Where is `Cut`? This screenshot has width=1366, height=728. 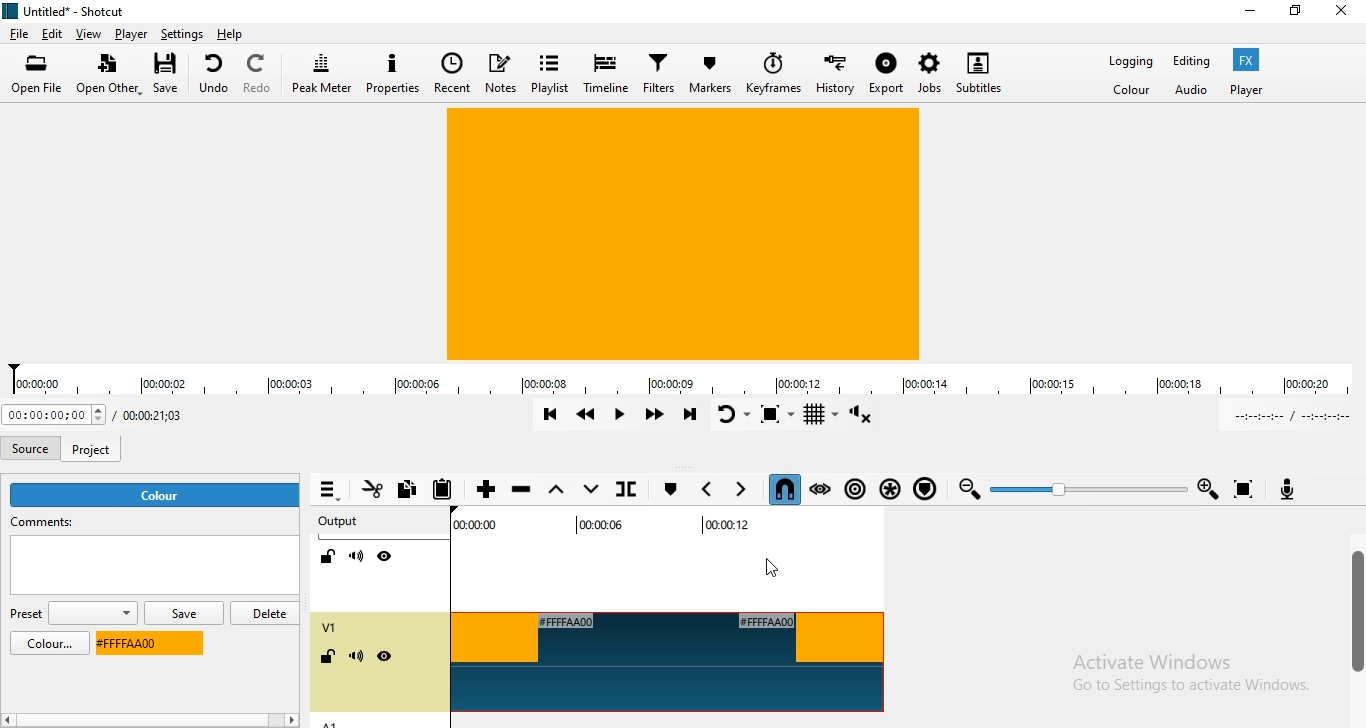 Cut is located at coordinates (371, 492).